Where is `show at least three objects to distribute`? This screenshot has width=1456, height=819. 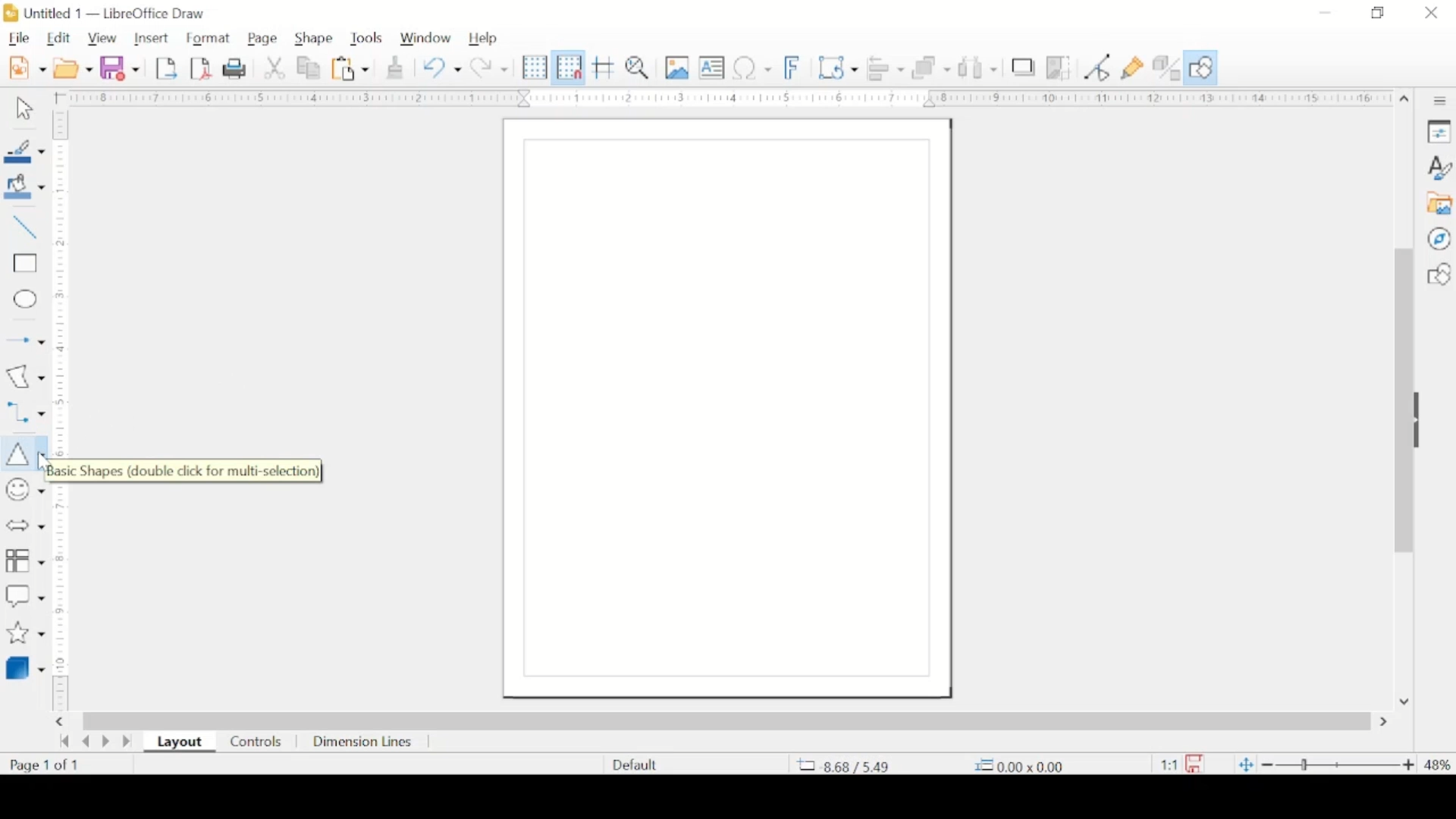
show at least three objects to distribute is located at coordinates (978, 68).